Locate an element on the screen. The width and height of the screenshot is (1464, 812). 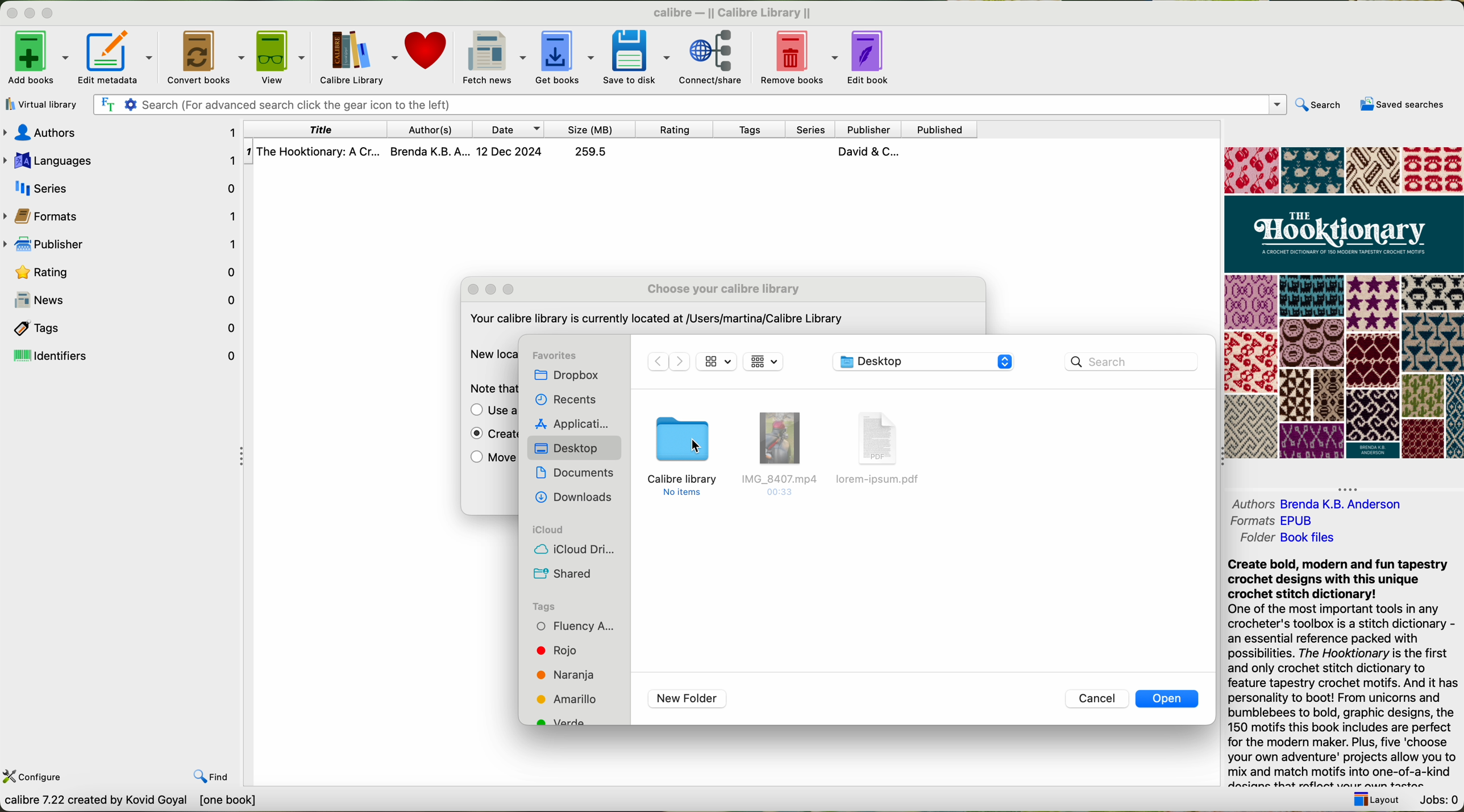
move the current library to the new location is located at coordinates (491, 456).